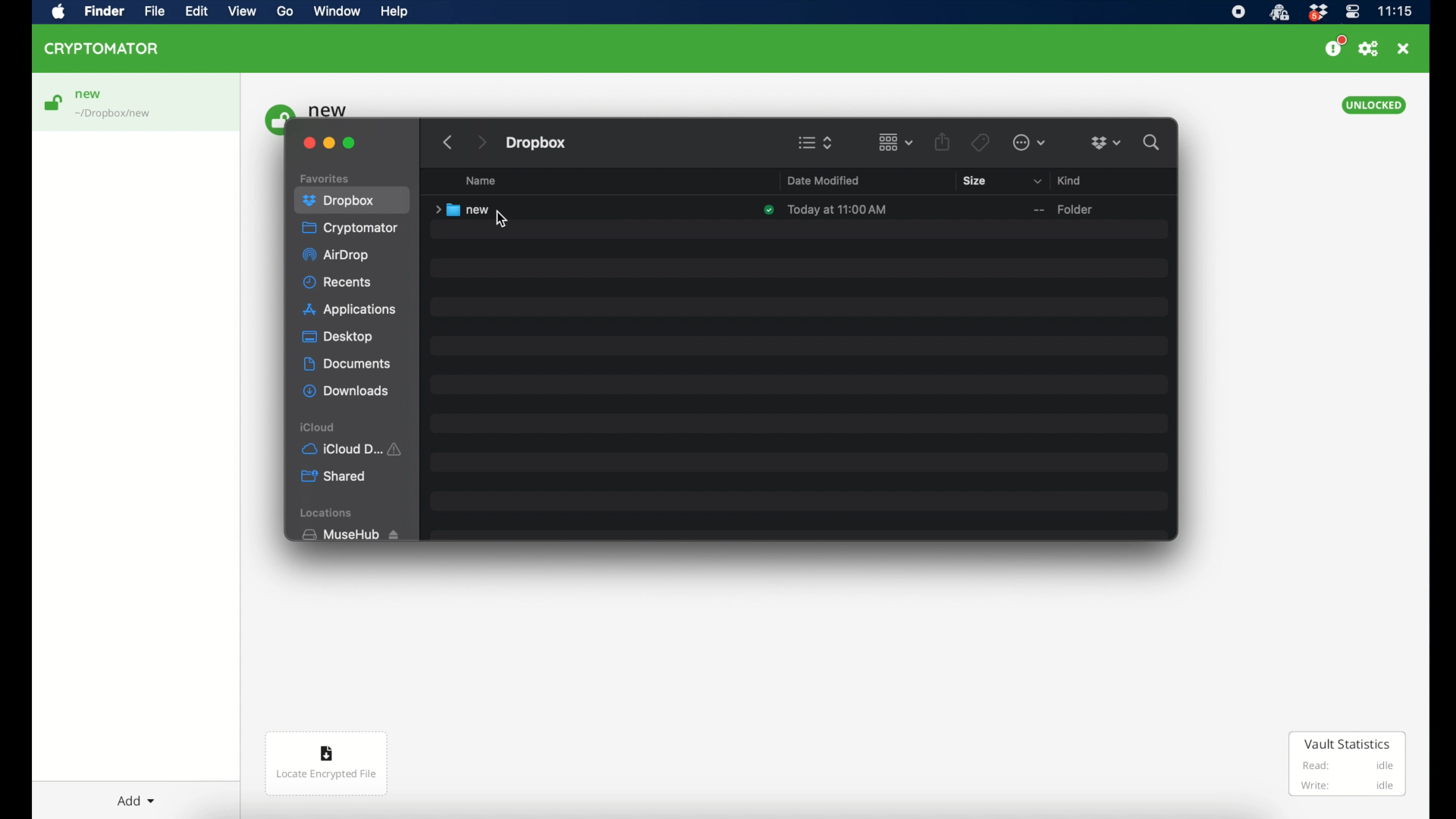 Image resolution: width=1456 pixels, height=819 pixels. Describe the element at coordinates (394, 11) in the screenshot. I see `help` at that location.